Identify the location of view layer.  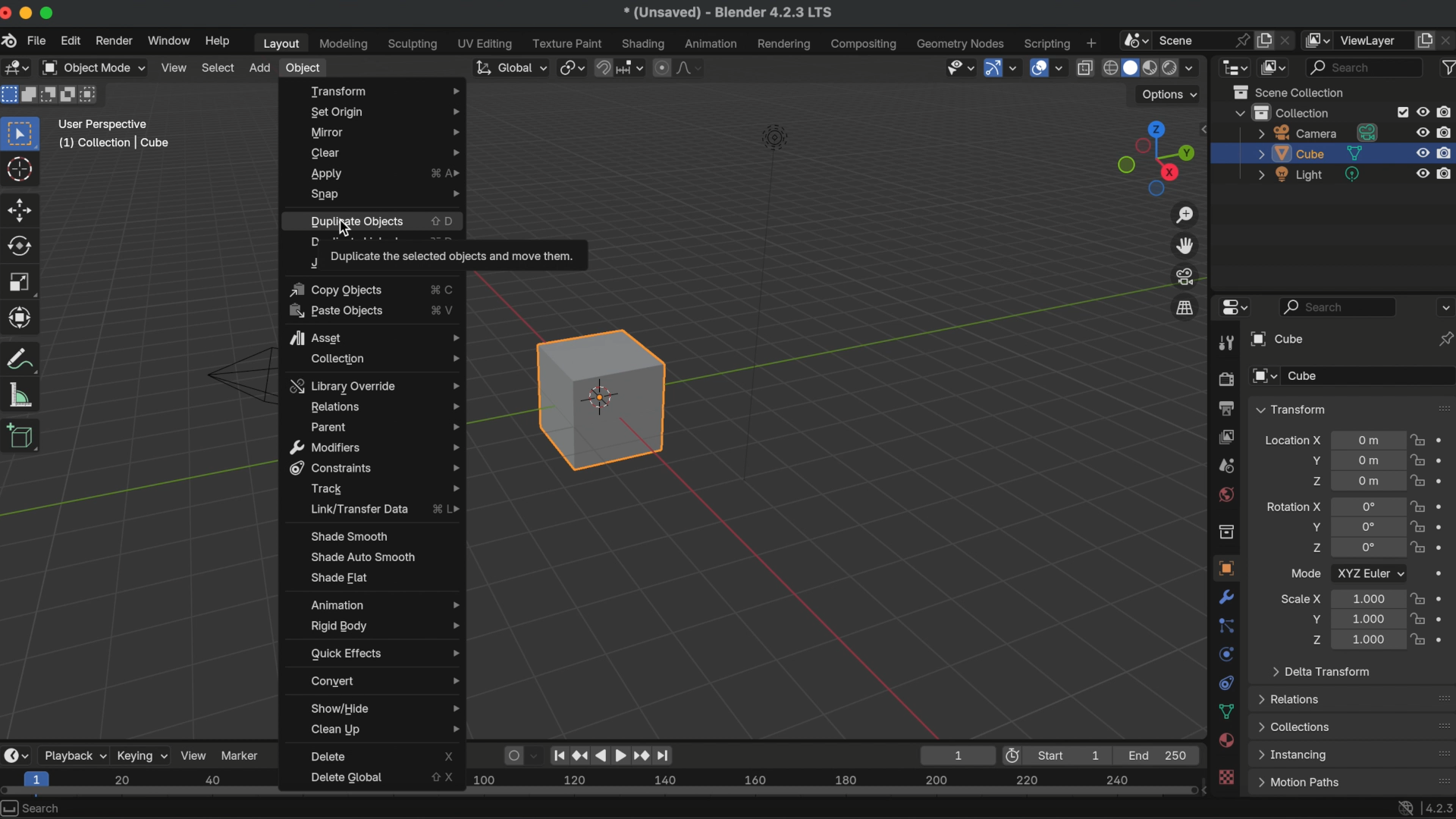
(1373, 40).